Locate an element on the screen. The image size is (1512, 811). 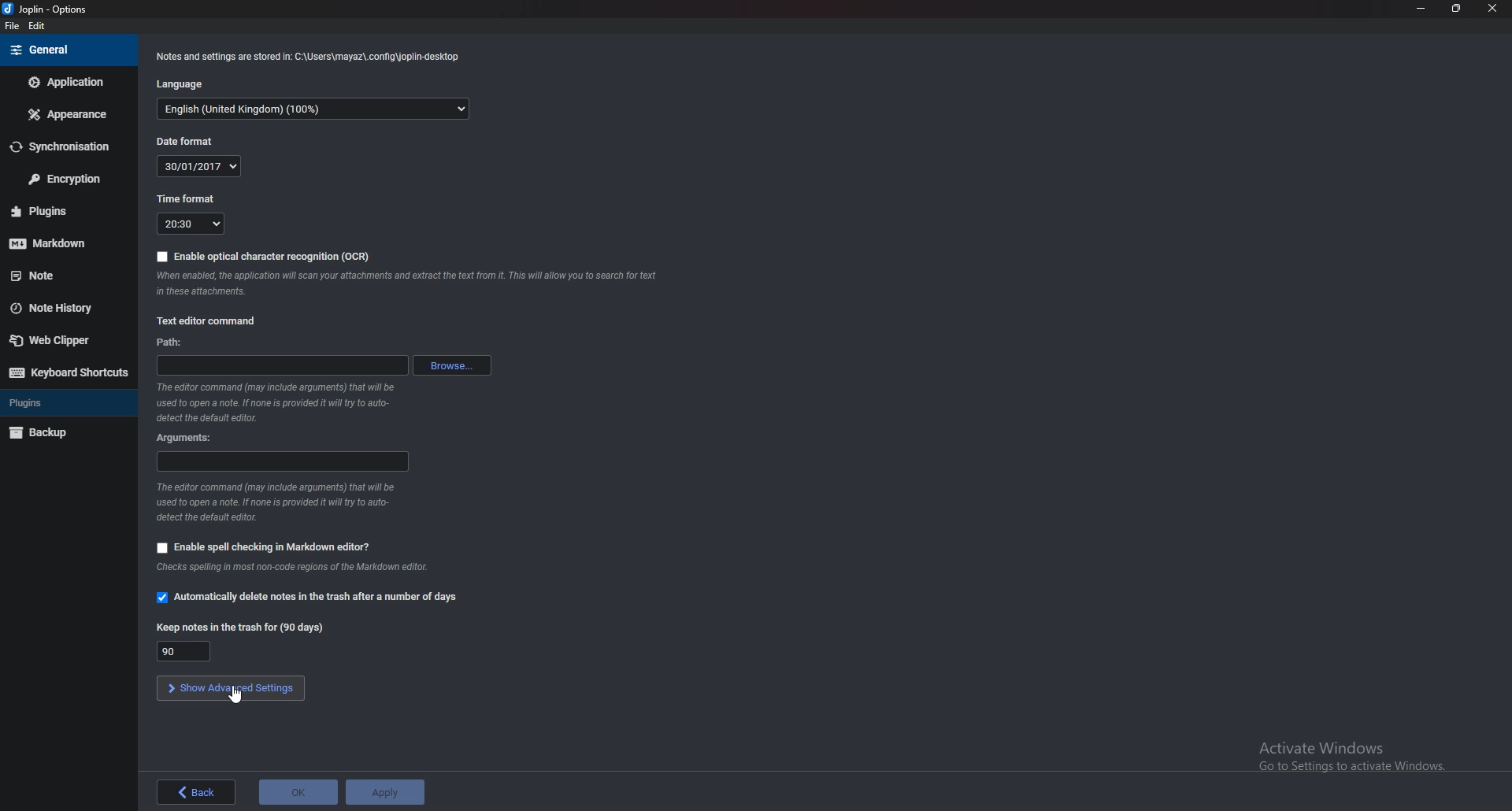
File is located at coordinates (13, 26).